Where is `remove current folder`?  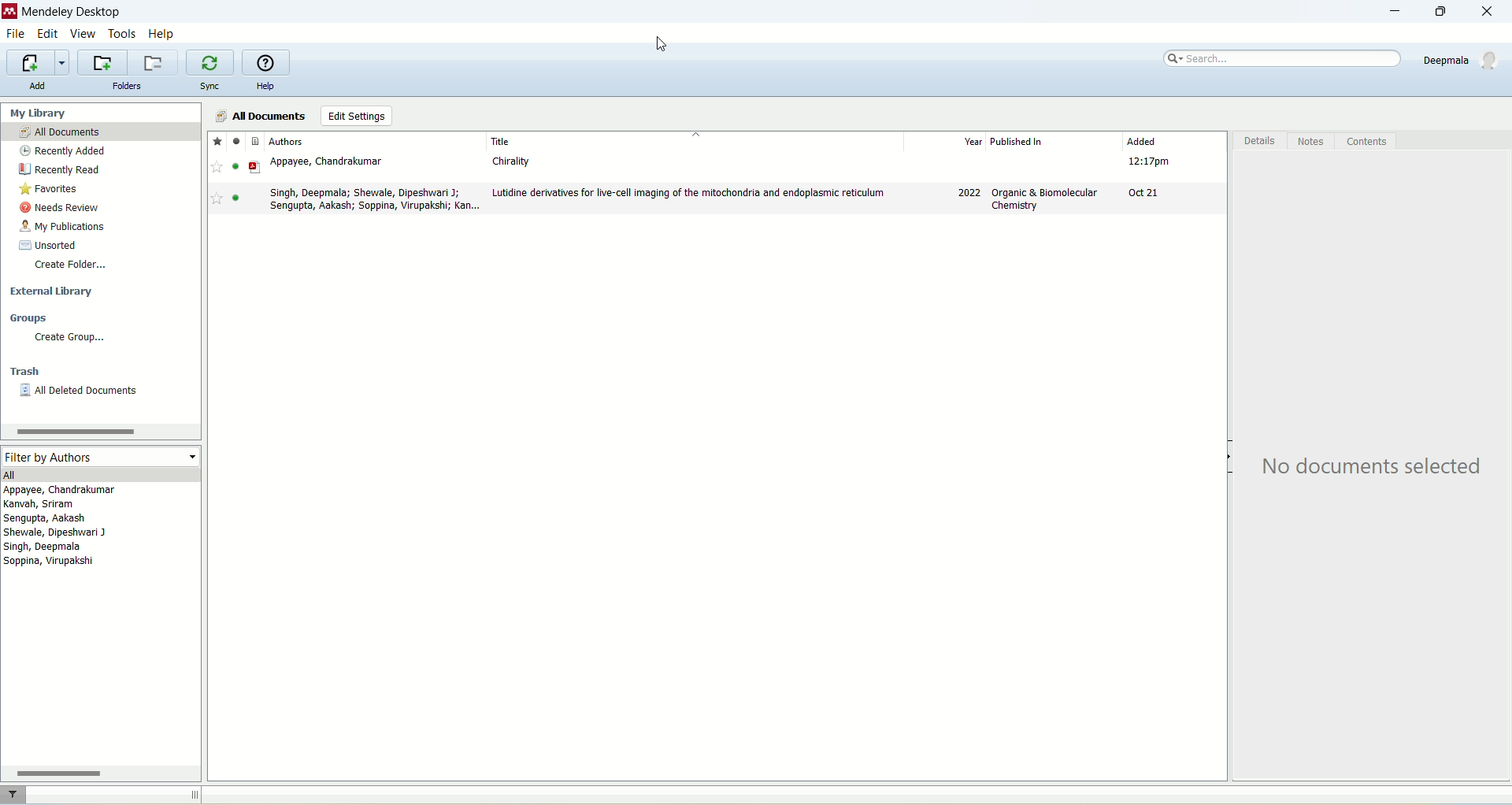
remove current folder is located at coordinates (155, 62).